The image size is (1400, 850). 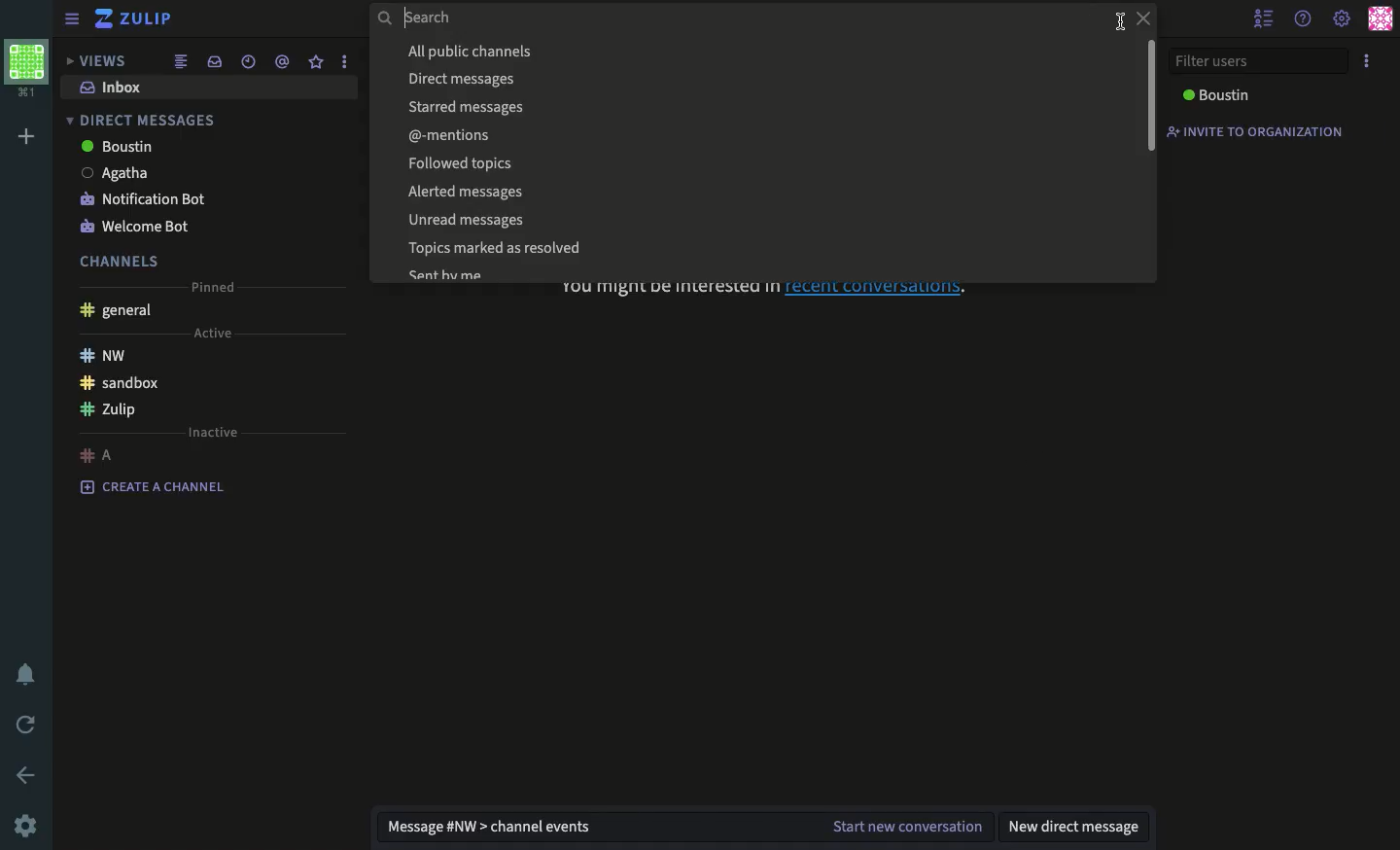 What do you see at coordinates (98, 456) in the screenshot?
I see `a` at bounding box center [98, 456].